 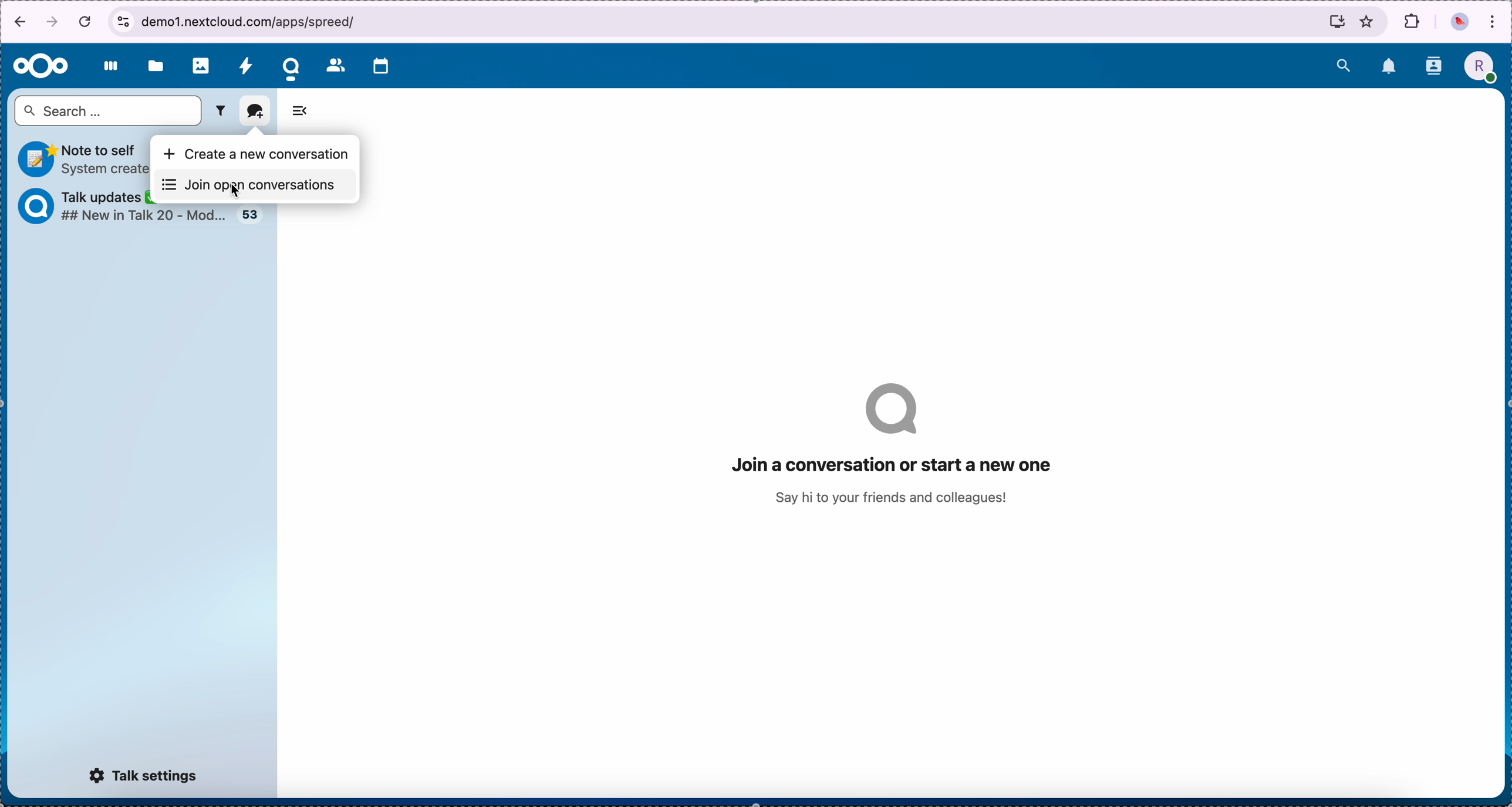 What do you see at coordinates (143, 778) in the screenshot?
I see `talk settings` at bounding box center [143, 778].